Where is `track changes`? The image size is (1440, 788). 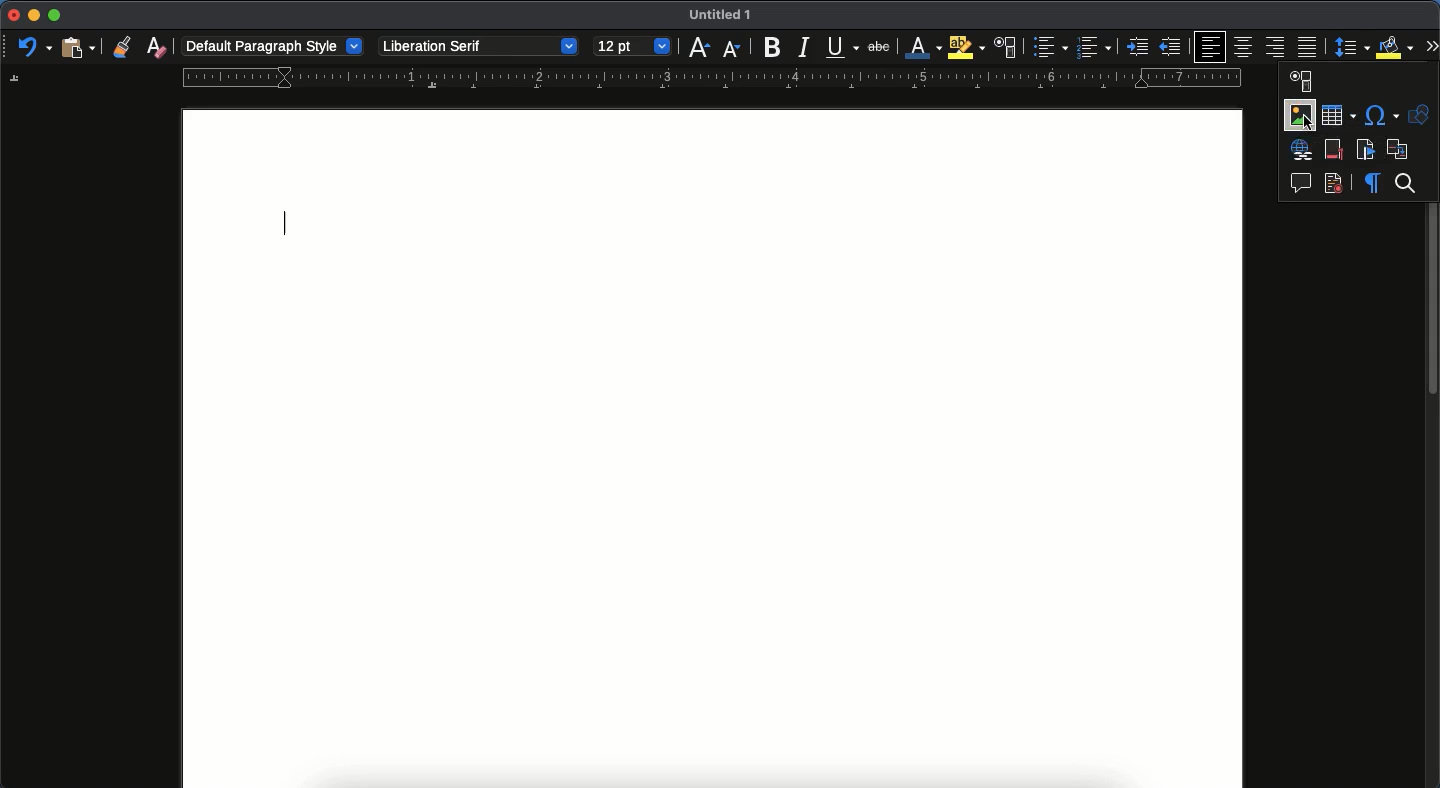 track changes is located at coordinates (1336, 184).